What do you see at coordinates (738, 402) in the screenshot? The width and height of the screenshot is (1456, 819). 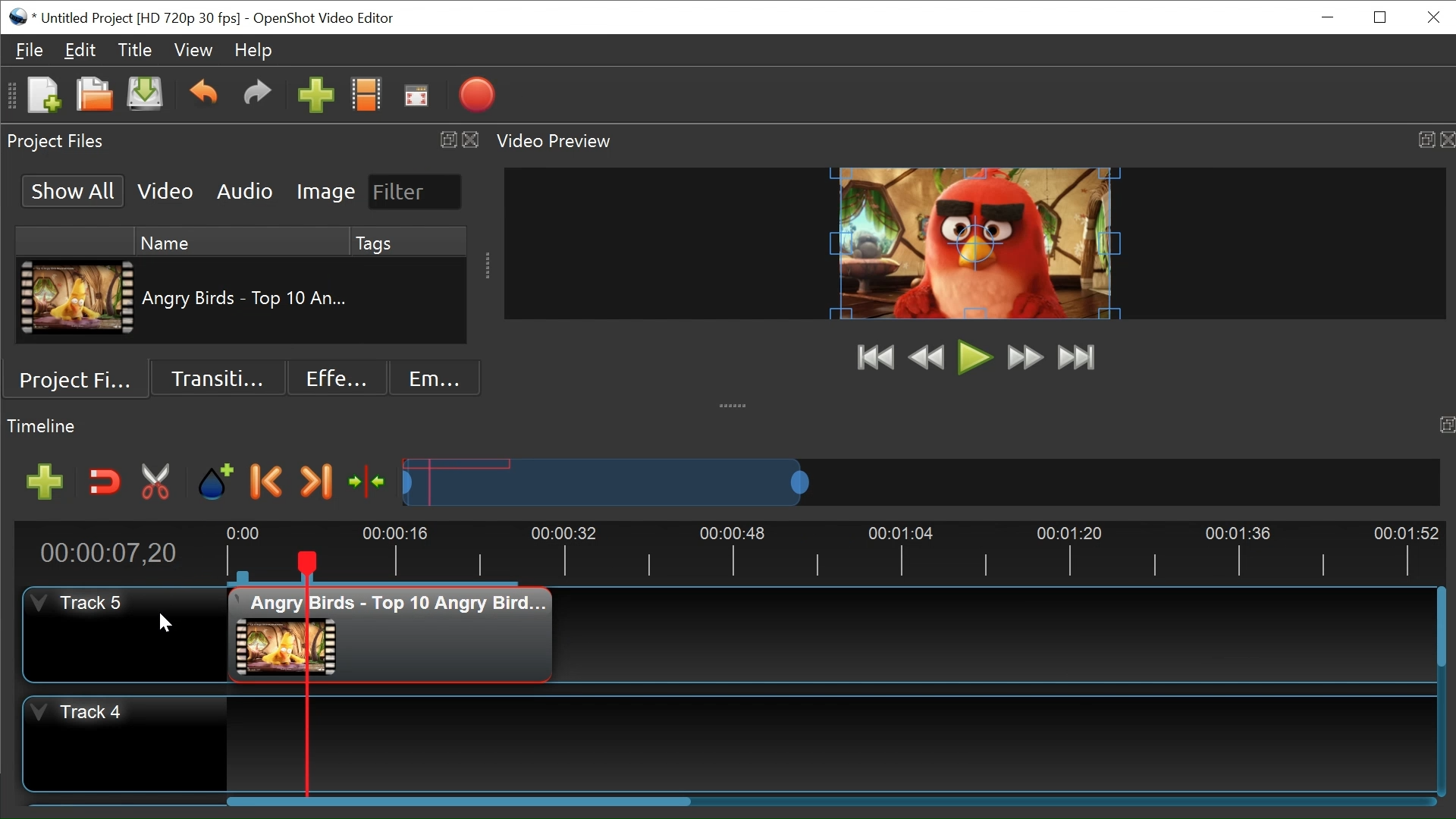 I see `collapse` at bounding box center [738, 402].